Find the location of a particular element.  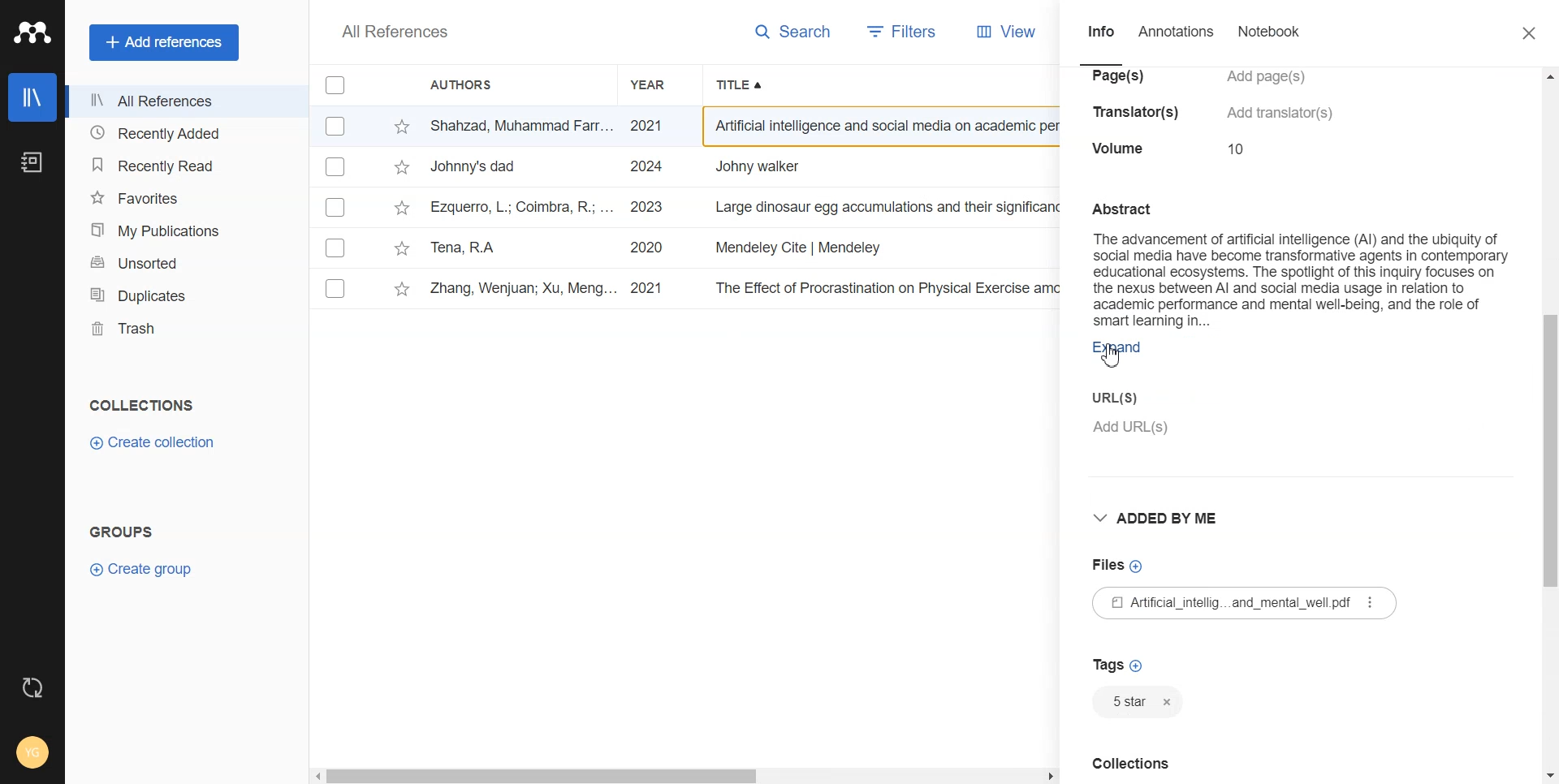

Trash  is located at coordinates (175, 327).